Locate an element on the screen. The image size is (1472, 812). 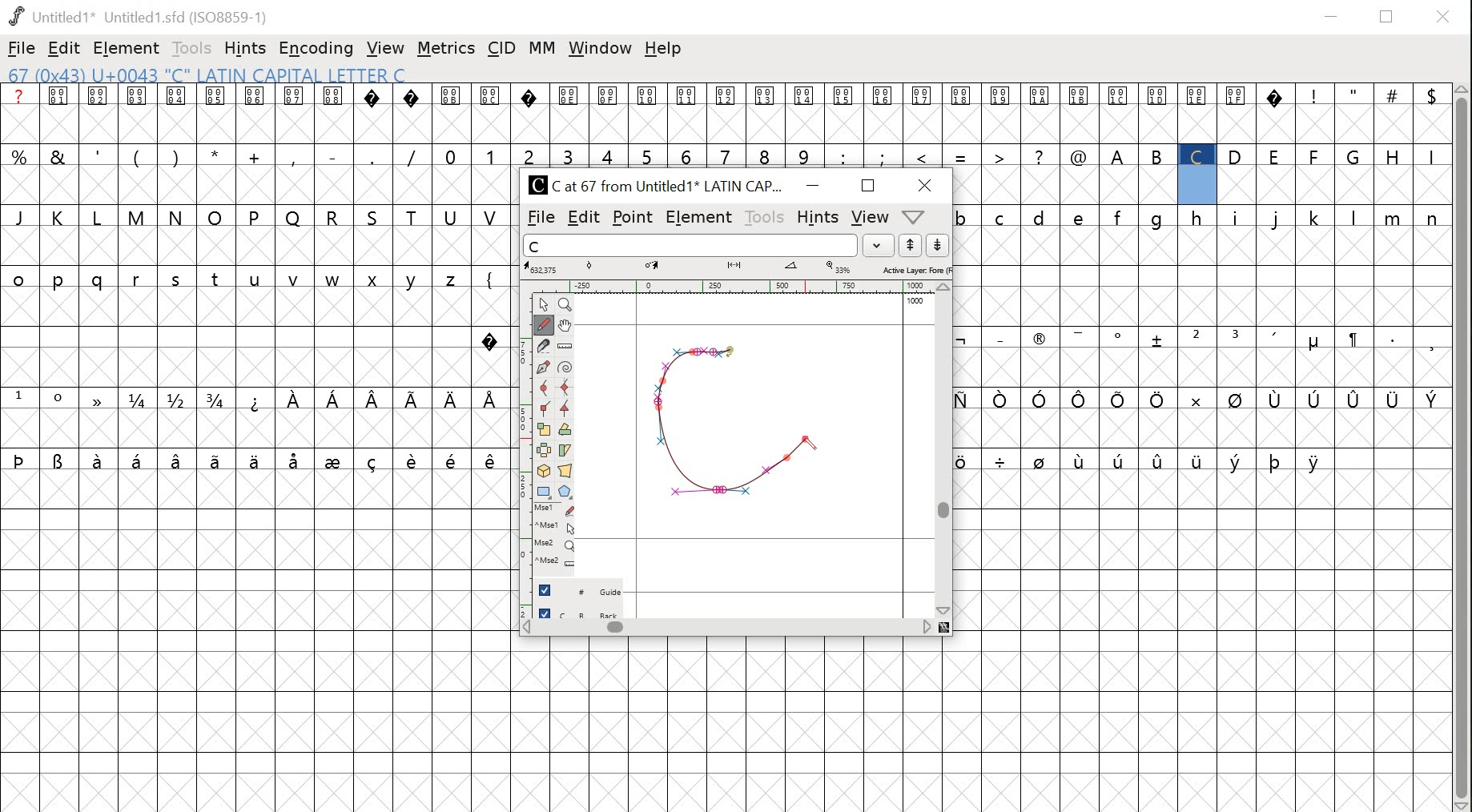
up is located at coordinates (911, 245).